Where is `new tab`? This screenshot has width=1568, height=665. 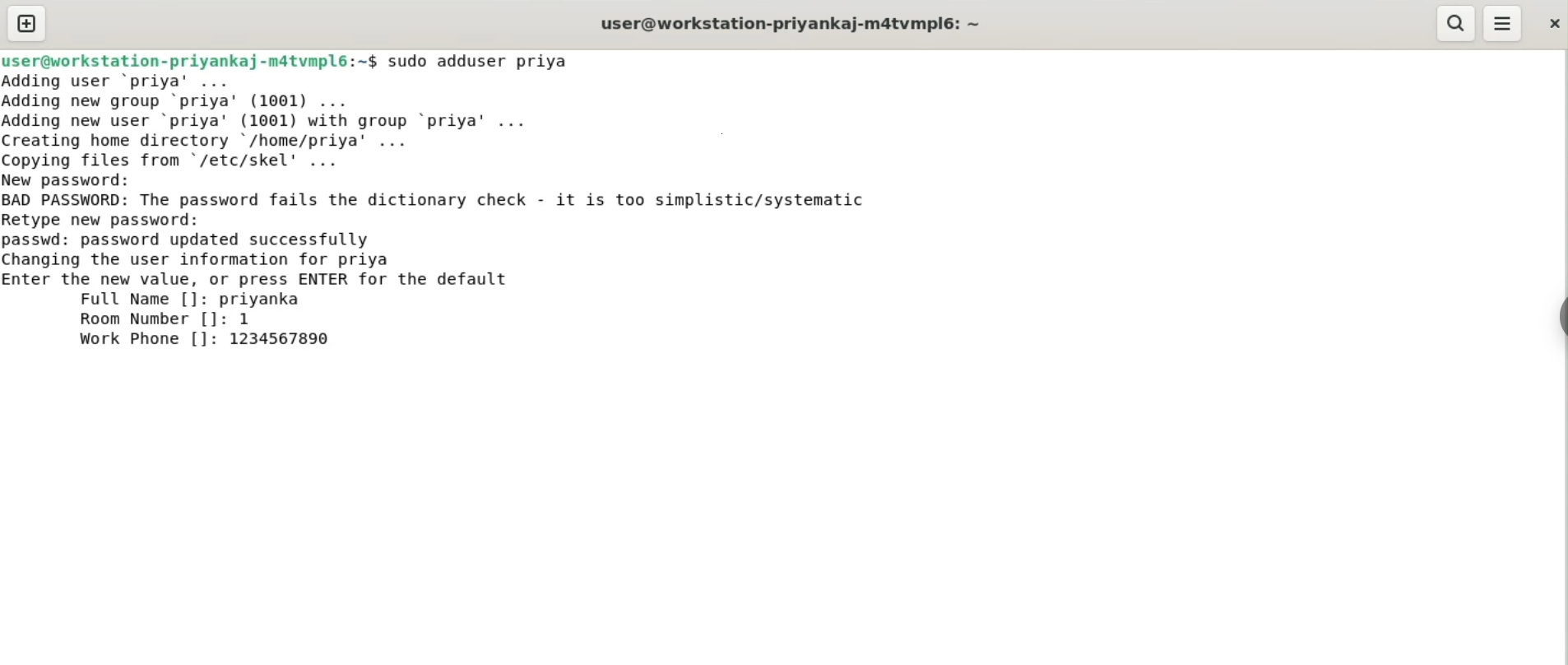
new tab is located at coordinates (27, 23).